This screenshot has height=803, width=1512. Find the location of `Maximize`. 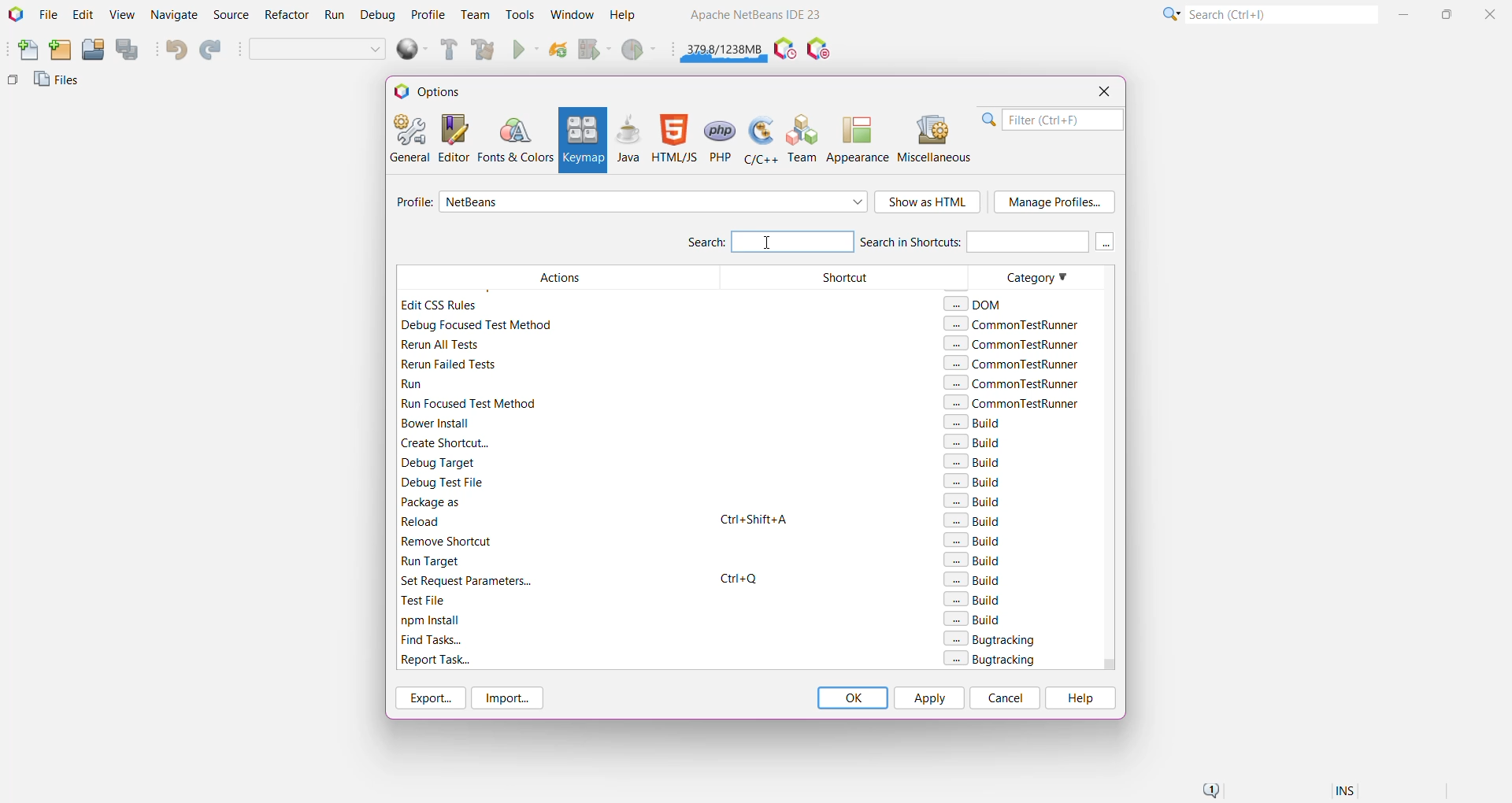

Maximize is located at coordinates (1449, 13).